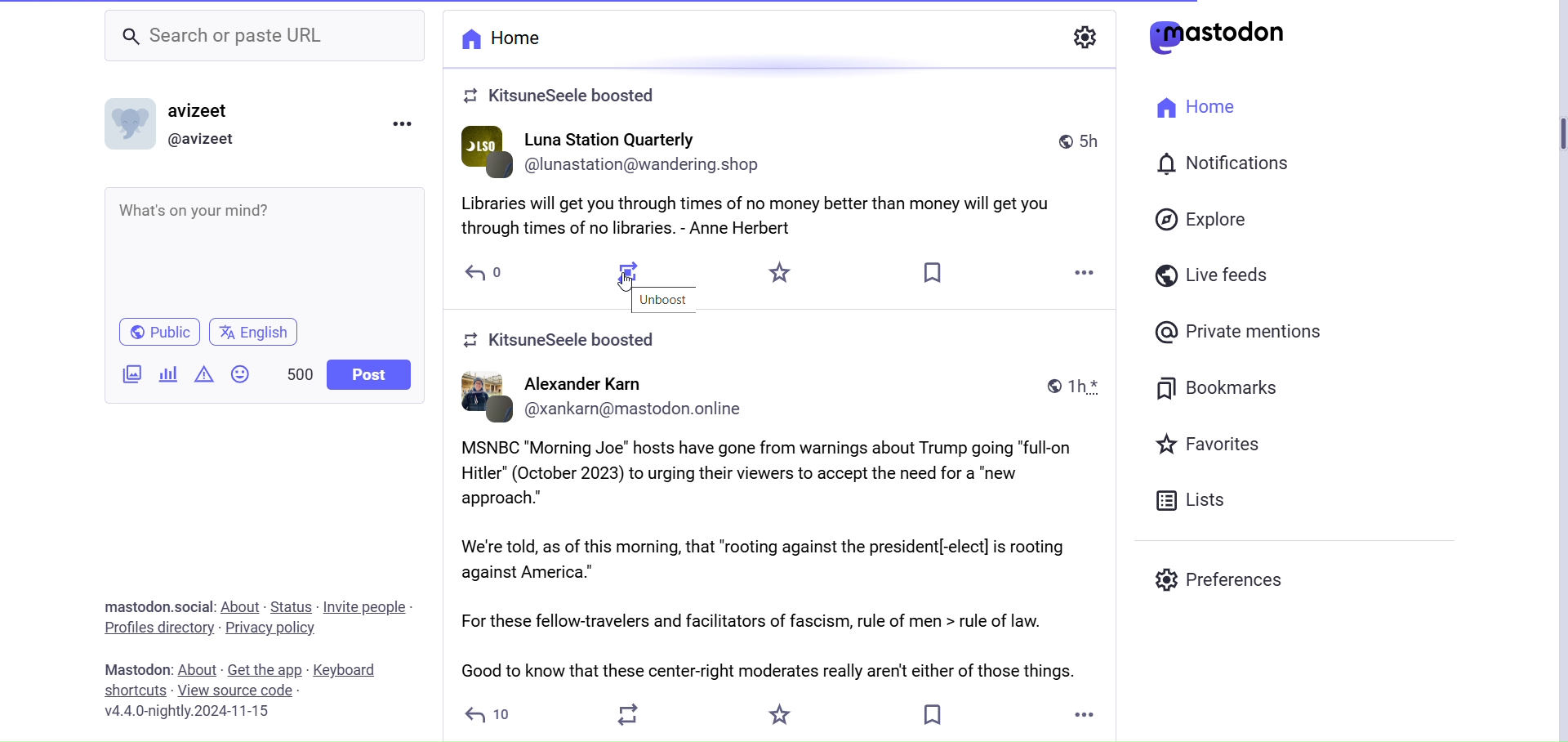 This screenshot has height=742, width=1568. What do you see at coordinates (240, 604) in the screenshot?
I see `About` at bounding box center [240, 604].